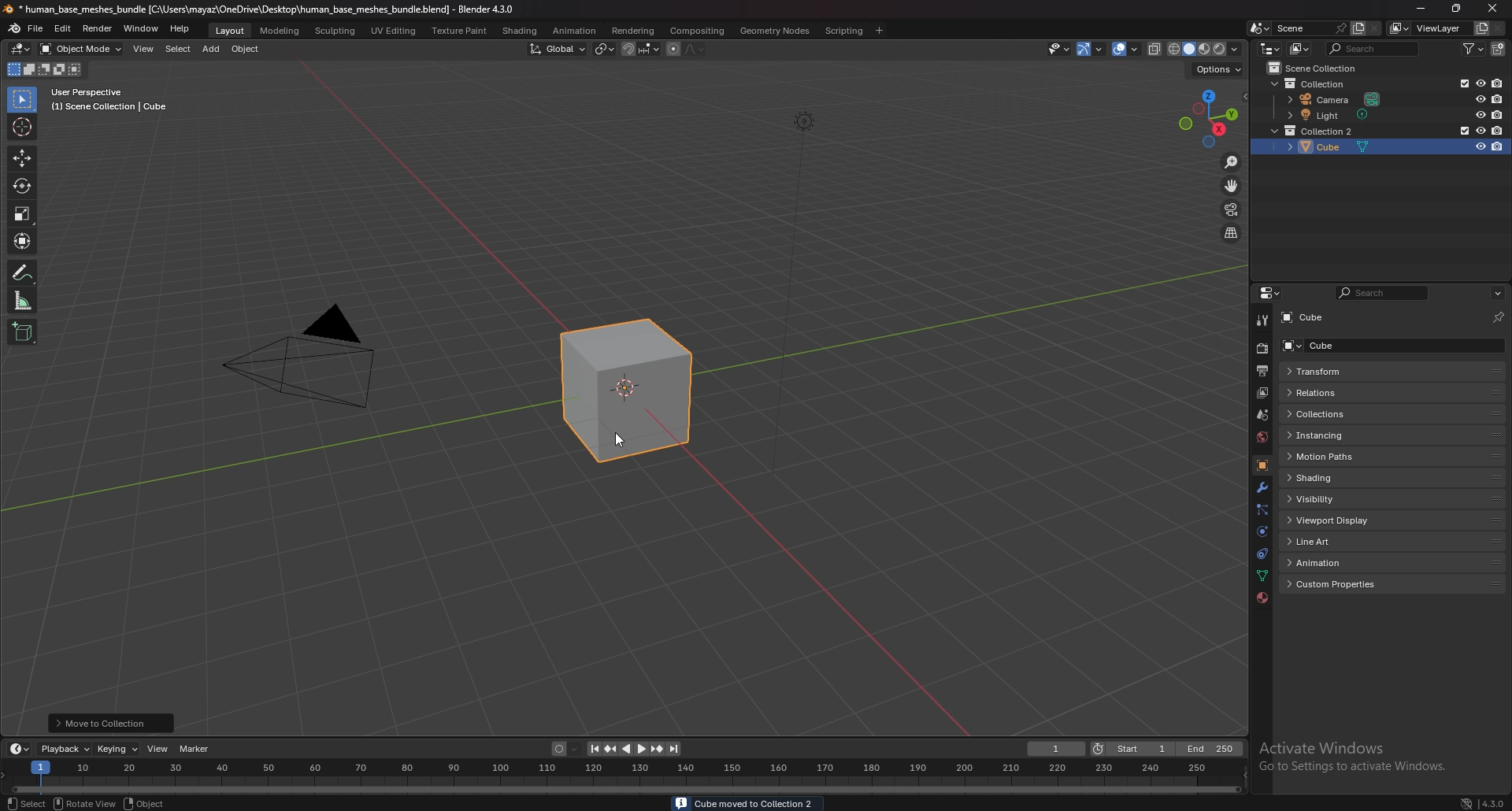  What do you see at coordinates (658, 749) in the screenshot?
I see `jump to keyframe` at bounding box center [658, 749].